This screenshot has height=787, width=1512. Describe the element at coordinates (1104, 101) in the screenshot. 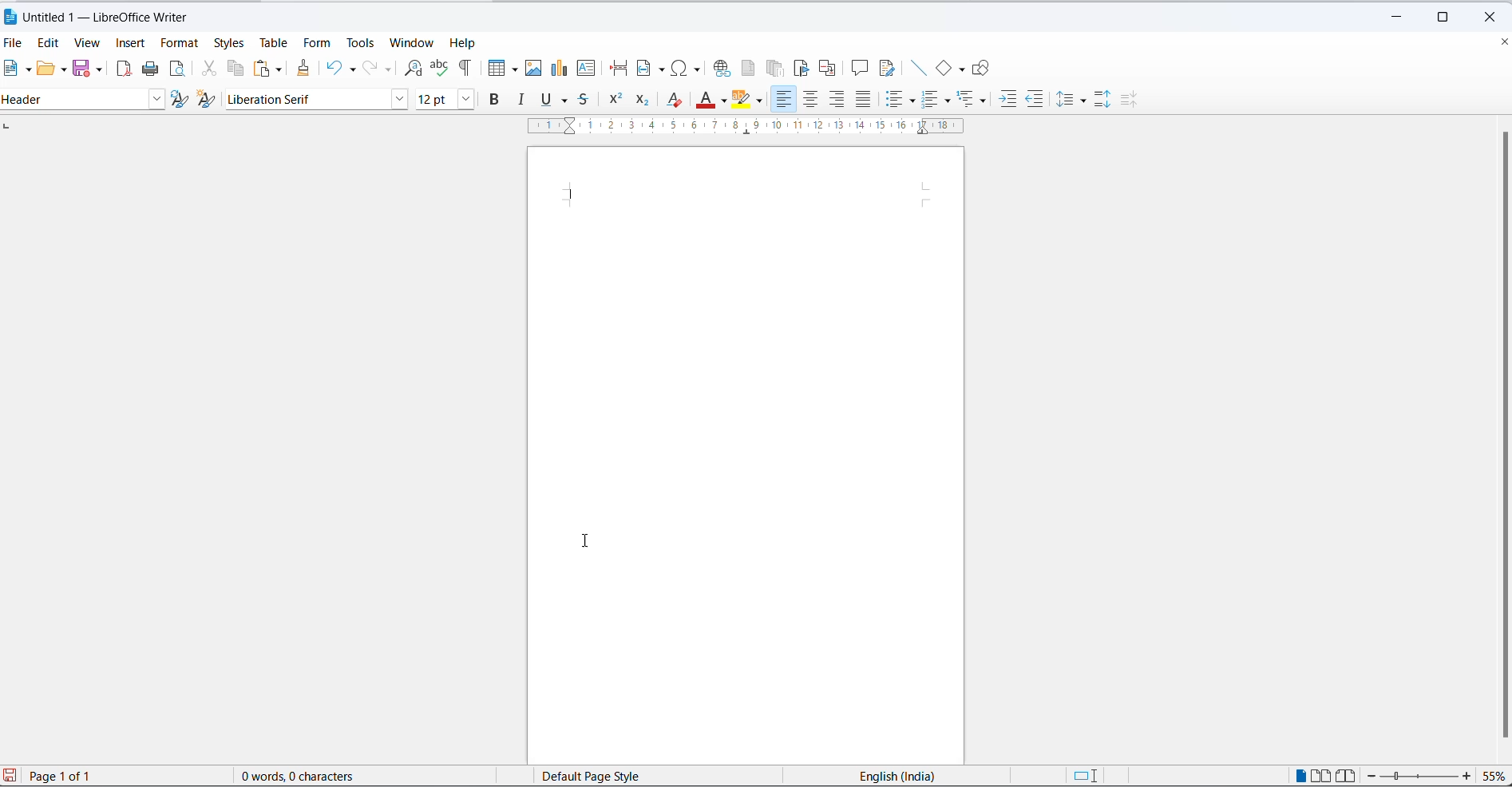

I see `increase paragraph spacing` at that location.